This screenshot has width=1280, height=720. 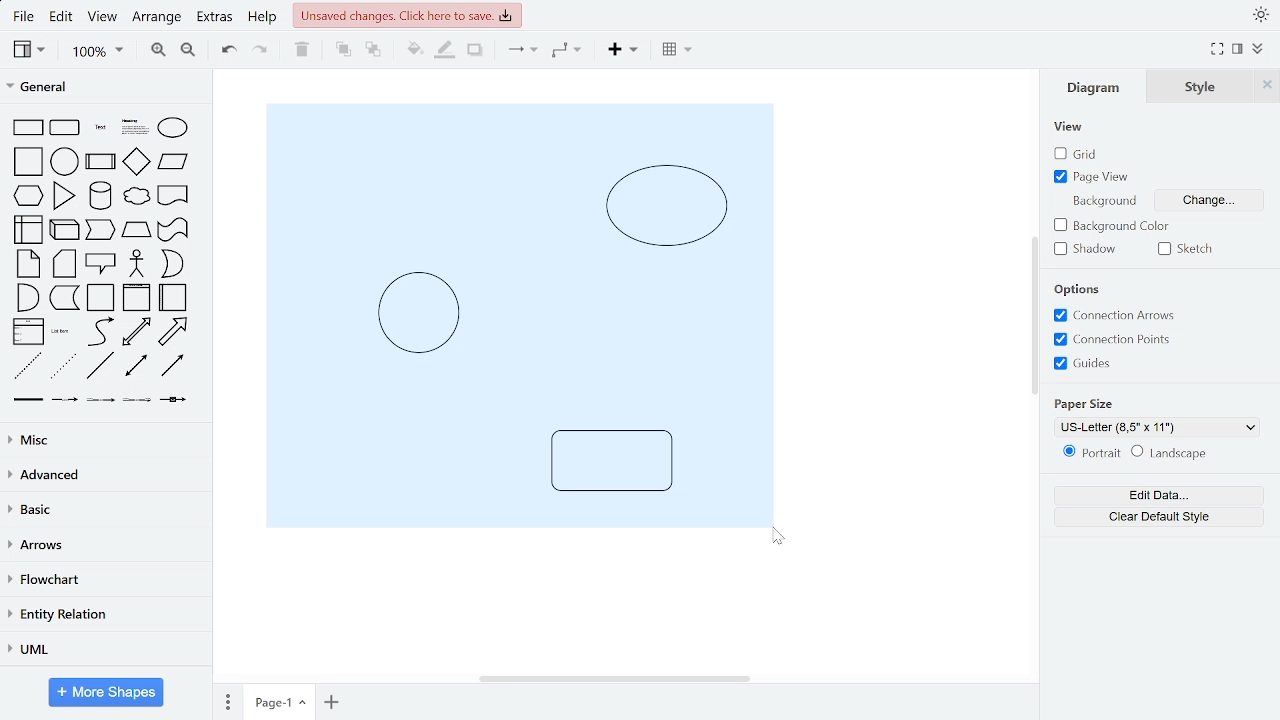 What do you see at coordinates (1098, 87) in the screenshot?
I see `diagram` at bounding box center [1098, 87].